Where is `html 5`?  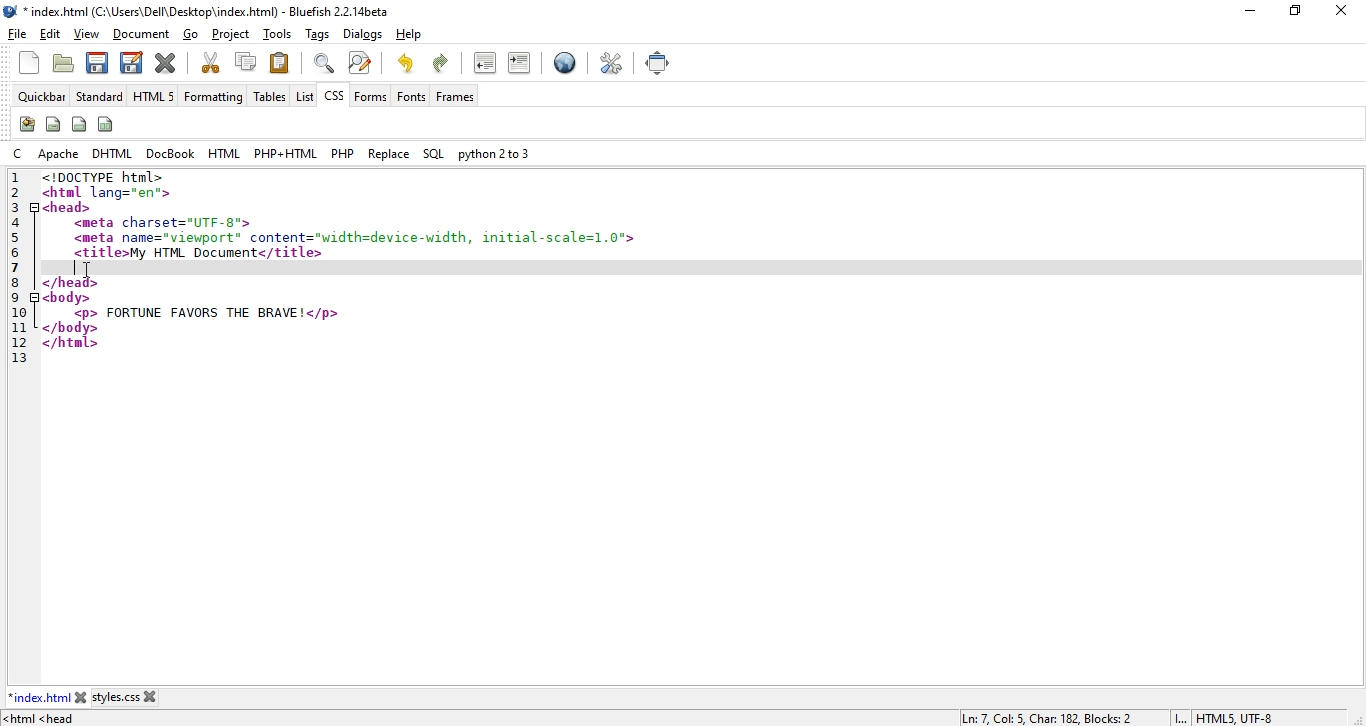
html 5 is located at coordinates (154, 97).